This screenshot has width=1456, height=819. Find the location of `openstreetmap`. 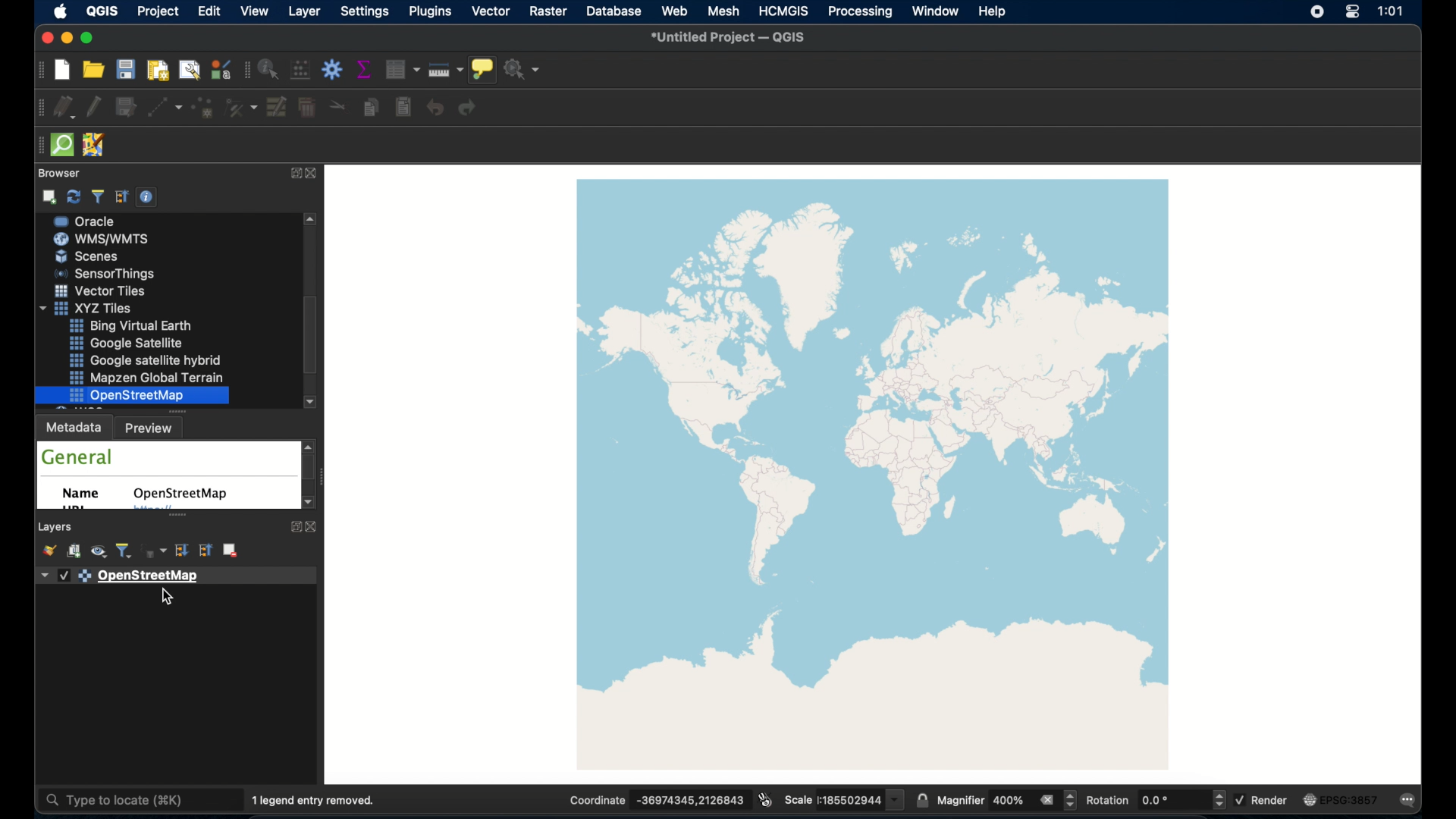

openstreetmap is located at coordinates (180, 494).